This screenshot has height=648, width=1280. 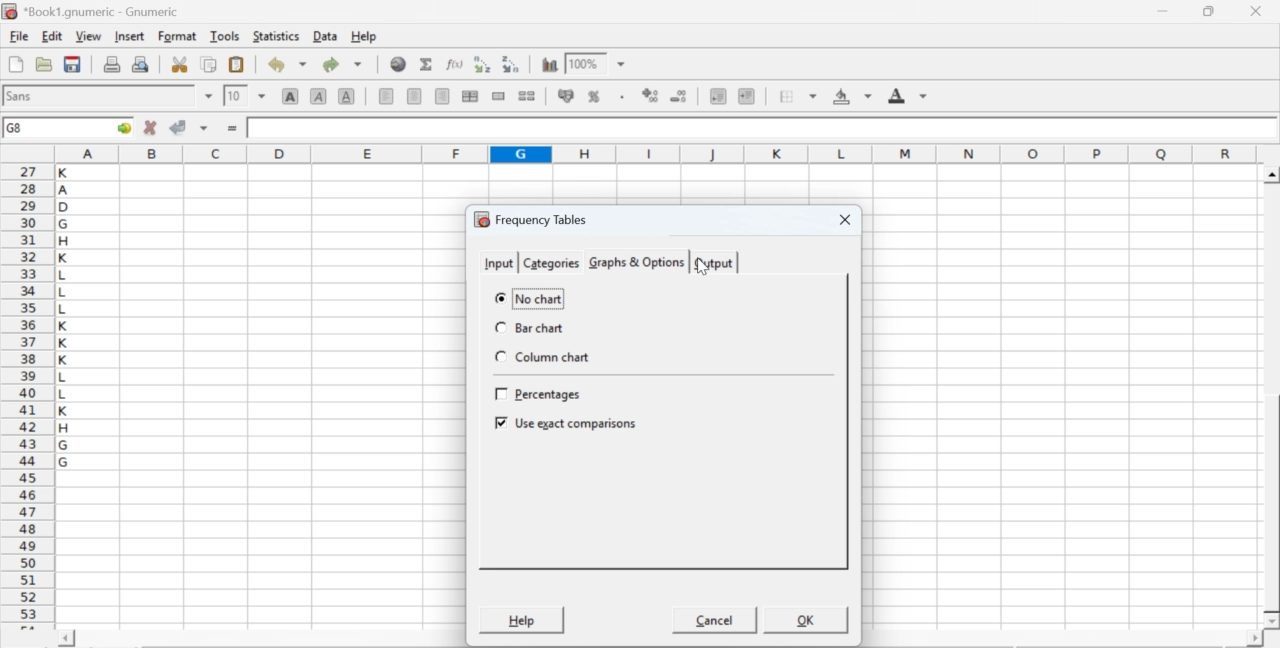 I want to click on decrease indent, so click(x=718, y=95).